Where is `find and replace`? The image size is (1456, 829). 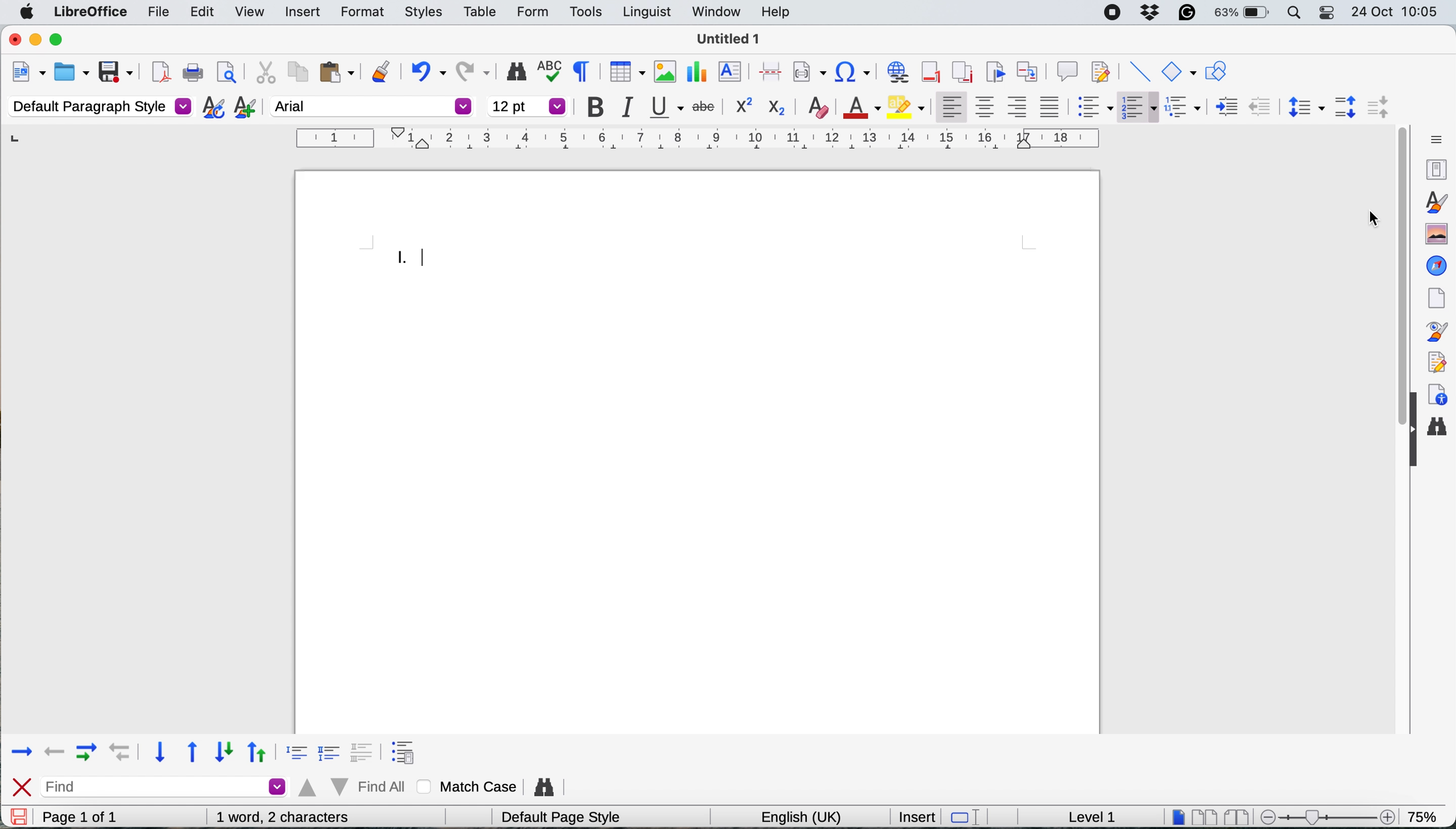
find and replace is located at coordinates (1439, 429).